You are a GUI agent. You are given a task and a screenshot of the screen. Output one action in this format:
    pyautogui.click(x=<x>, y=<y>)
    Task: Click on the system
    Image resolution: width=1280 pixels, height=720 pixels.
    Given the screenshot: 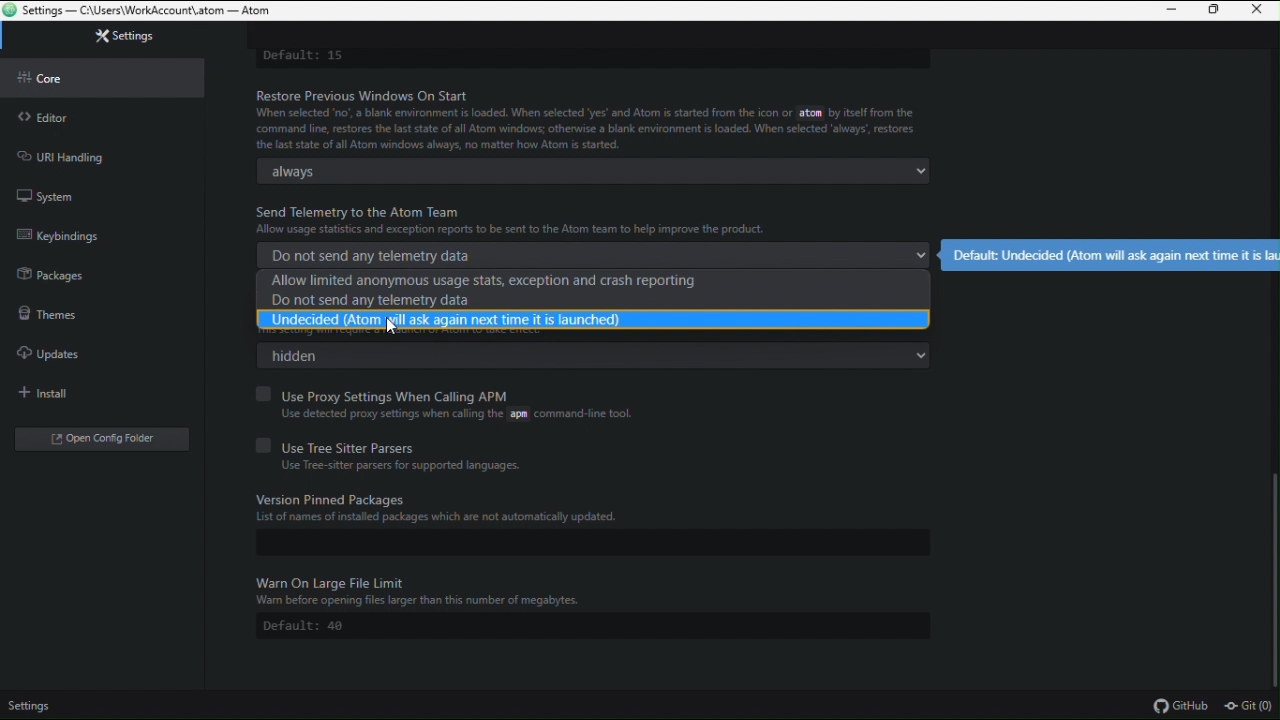 What is the action you would take?
    pyautogui.click(x=110, y=196)
    